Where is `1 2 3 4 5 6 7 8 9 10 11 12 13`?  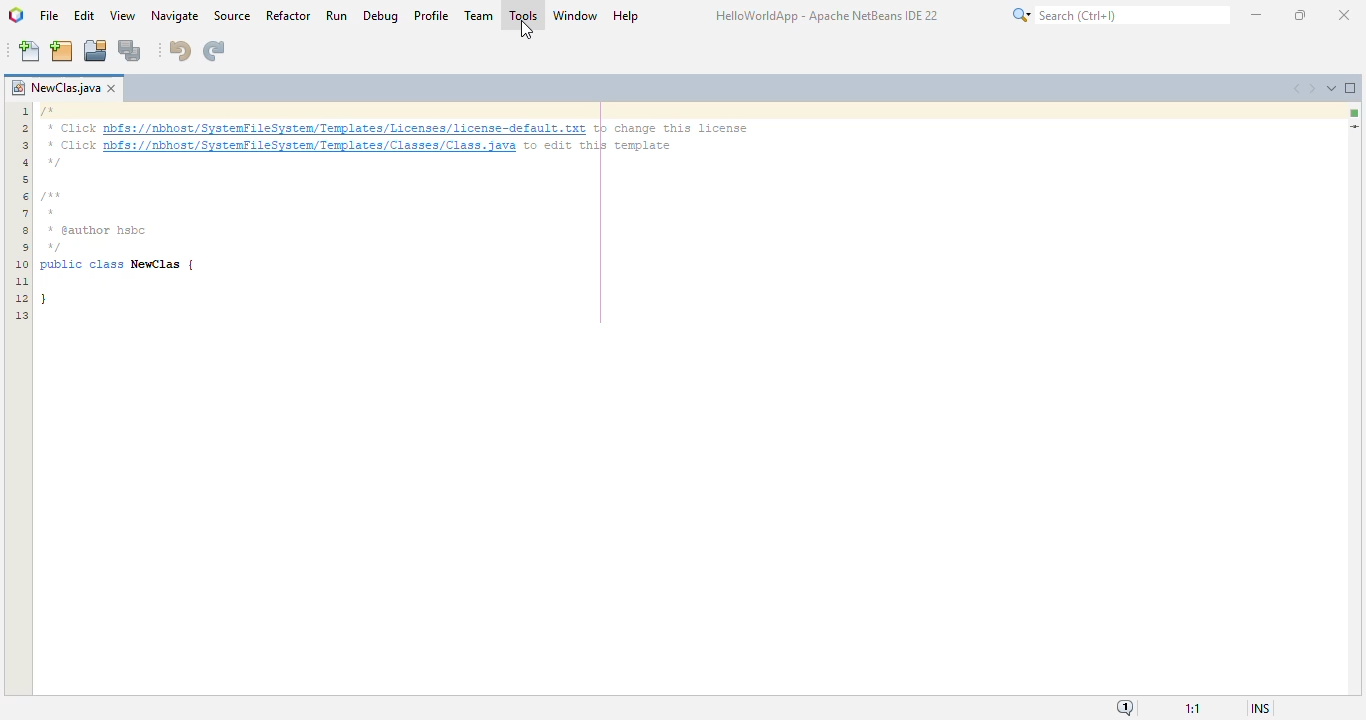
1 2 3 4 5 6 7 8 9 10 11 12 13 is located at coordinates (20, 214).